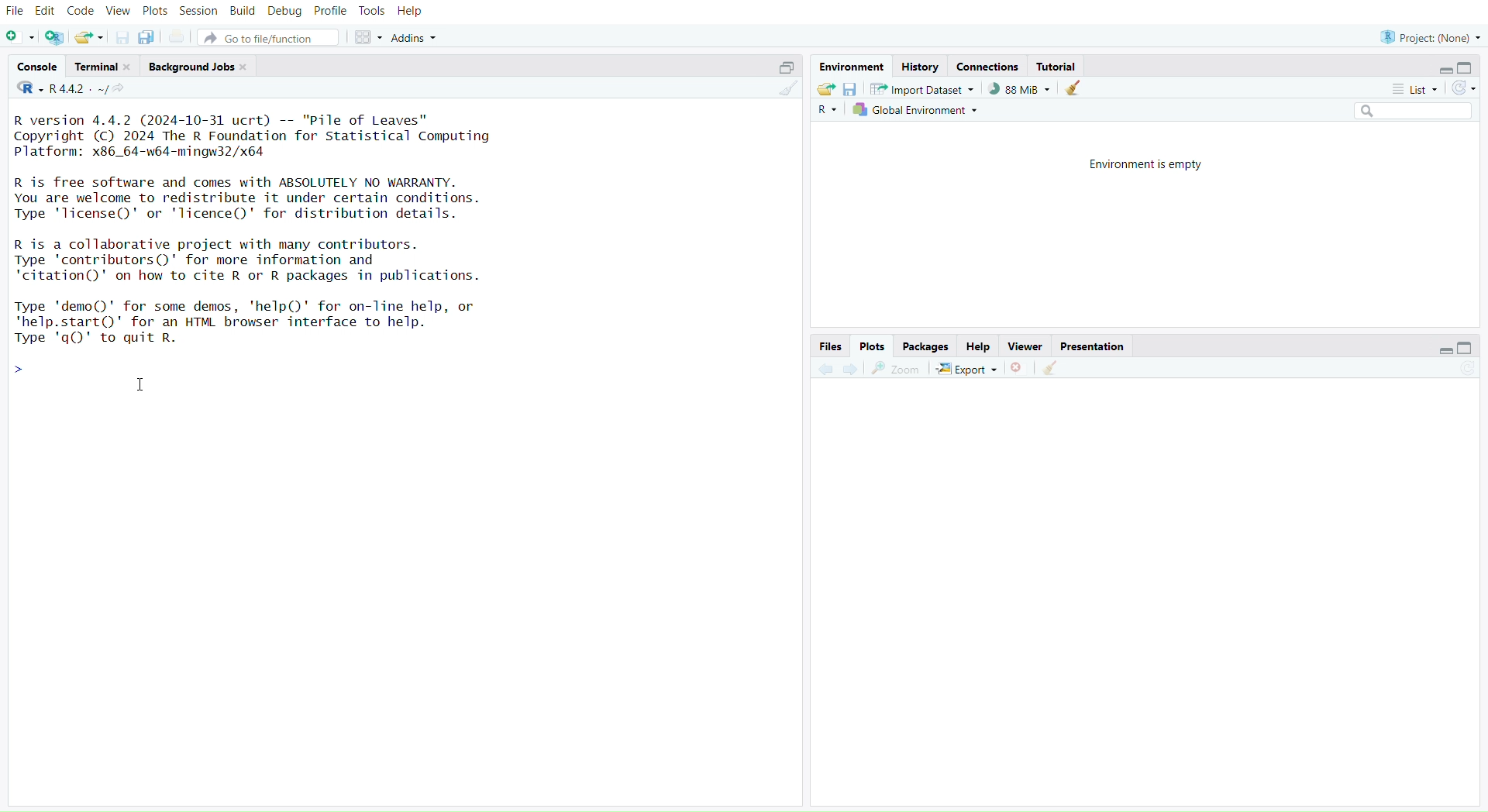  I want to click on view current working directory, so click(122, 89).